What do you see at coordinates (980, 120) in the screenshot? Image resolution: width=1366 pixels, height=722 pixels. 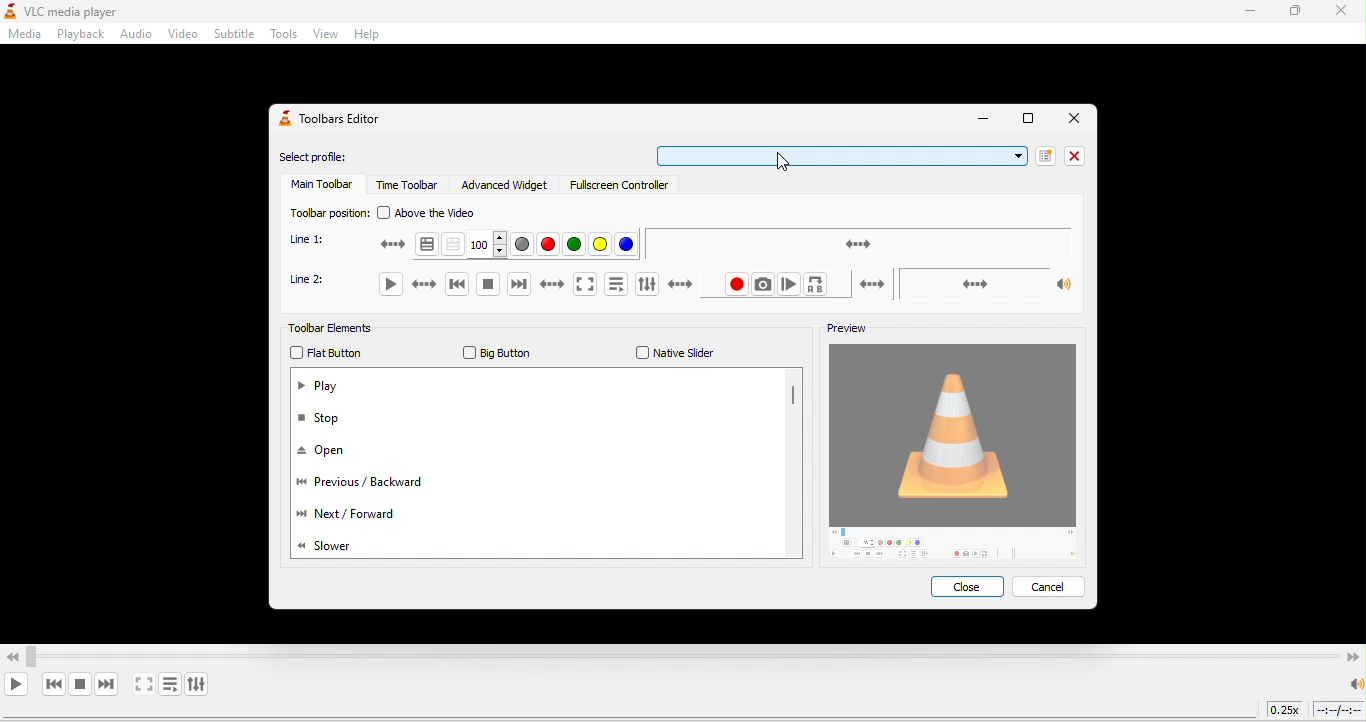 I see `minimize` at bounding box center [980, 120].